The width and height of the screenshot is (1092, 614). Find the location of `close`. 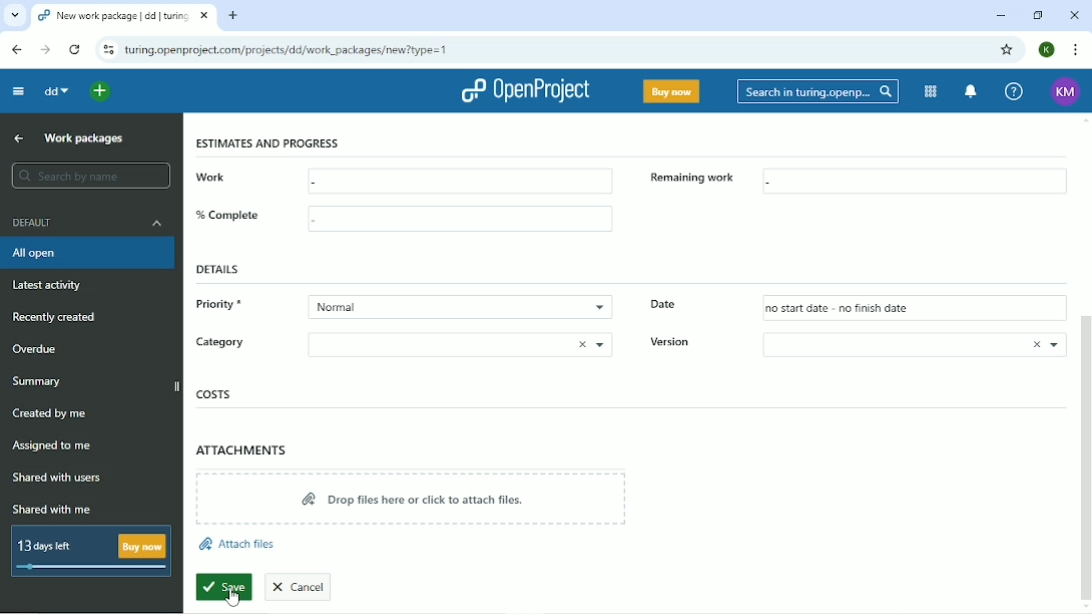

close is located at coordinates (1036, 351).